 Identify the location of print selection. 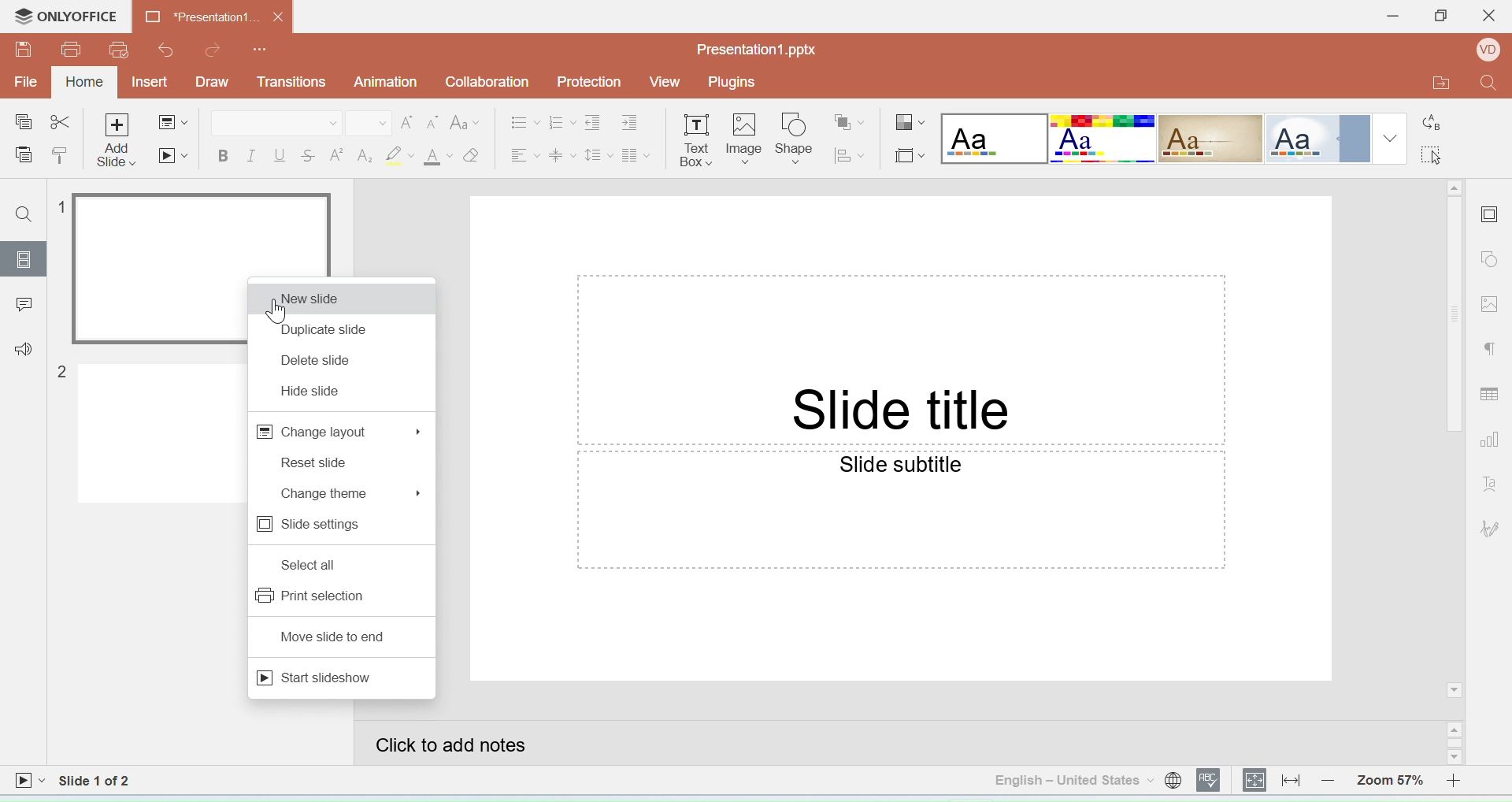
(311, 595).